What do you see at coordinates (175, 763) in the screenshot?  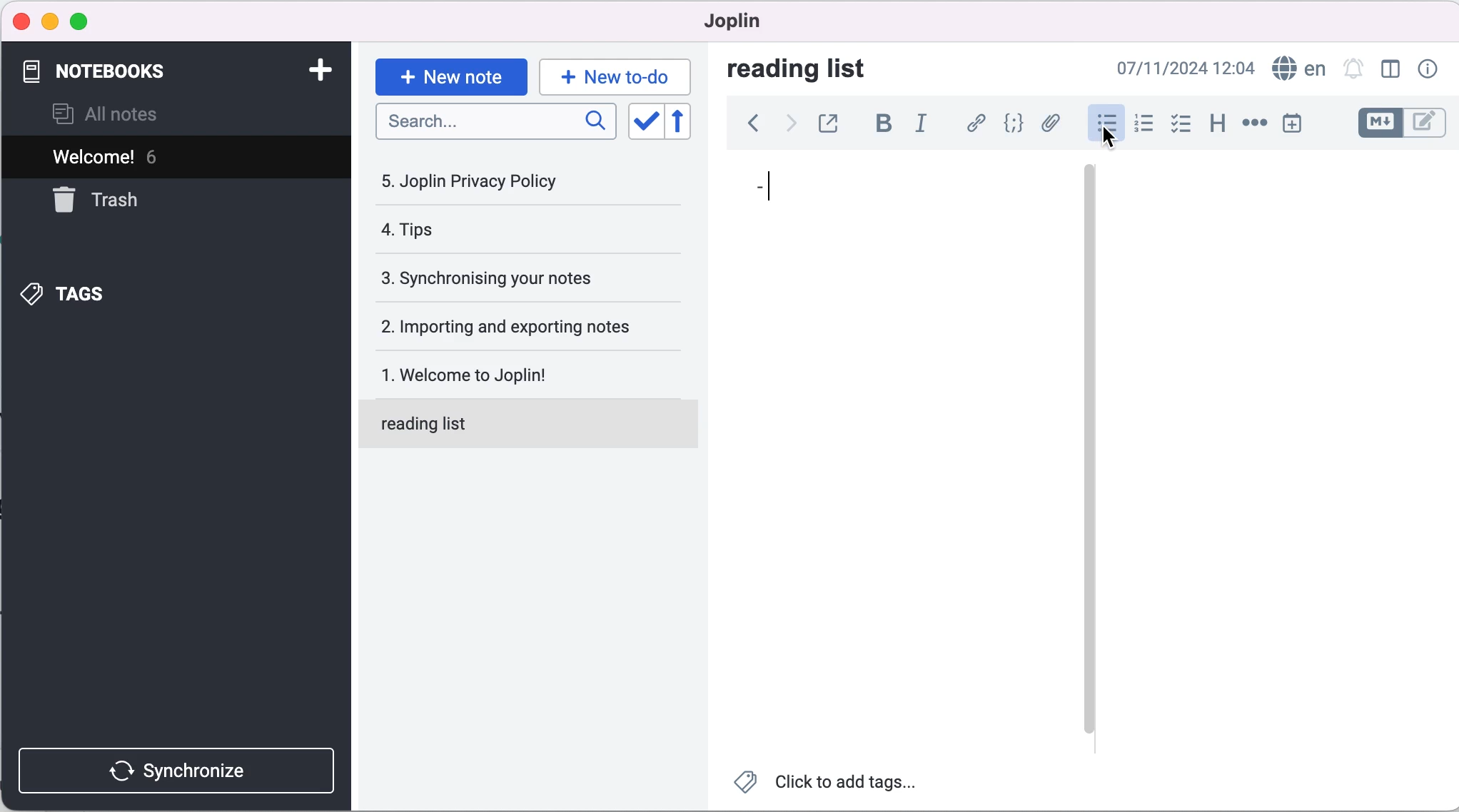 I see `synchronize` at bounding box center [175, 763].